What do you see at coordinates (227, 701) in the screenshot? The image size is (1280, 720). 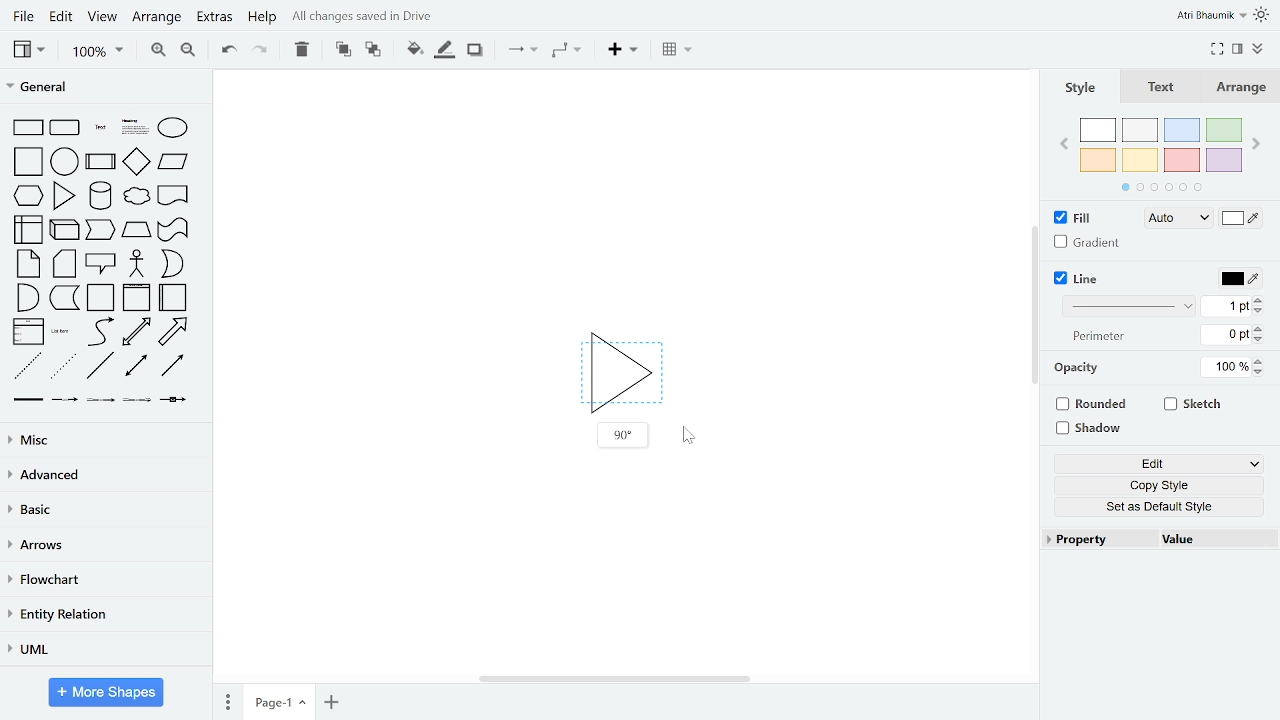 I see `pages` at bounding box center [227, 701].